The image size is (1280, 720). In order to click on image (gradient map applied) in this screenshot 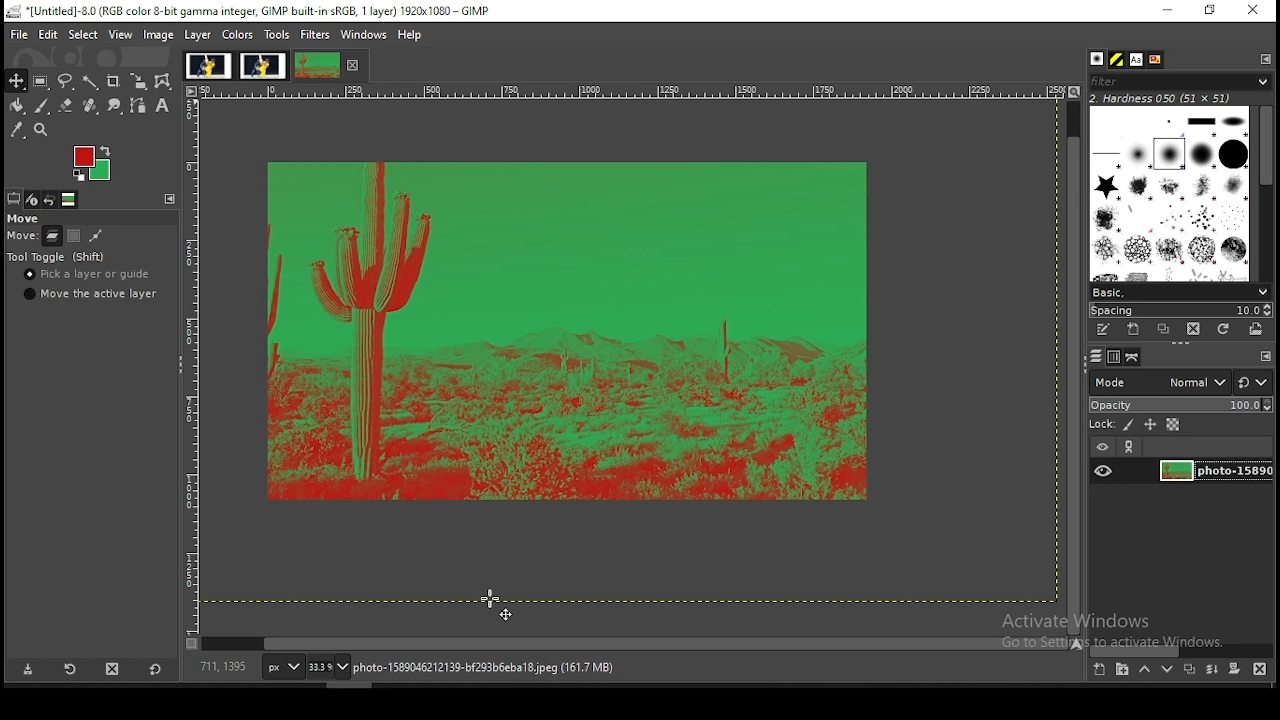, I will do `click(569, 333)`.